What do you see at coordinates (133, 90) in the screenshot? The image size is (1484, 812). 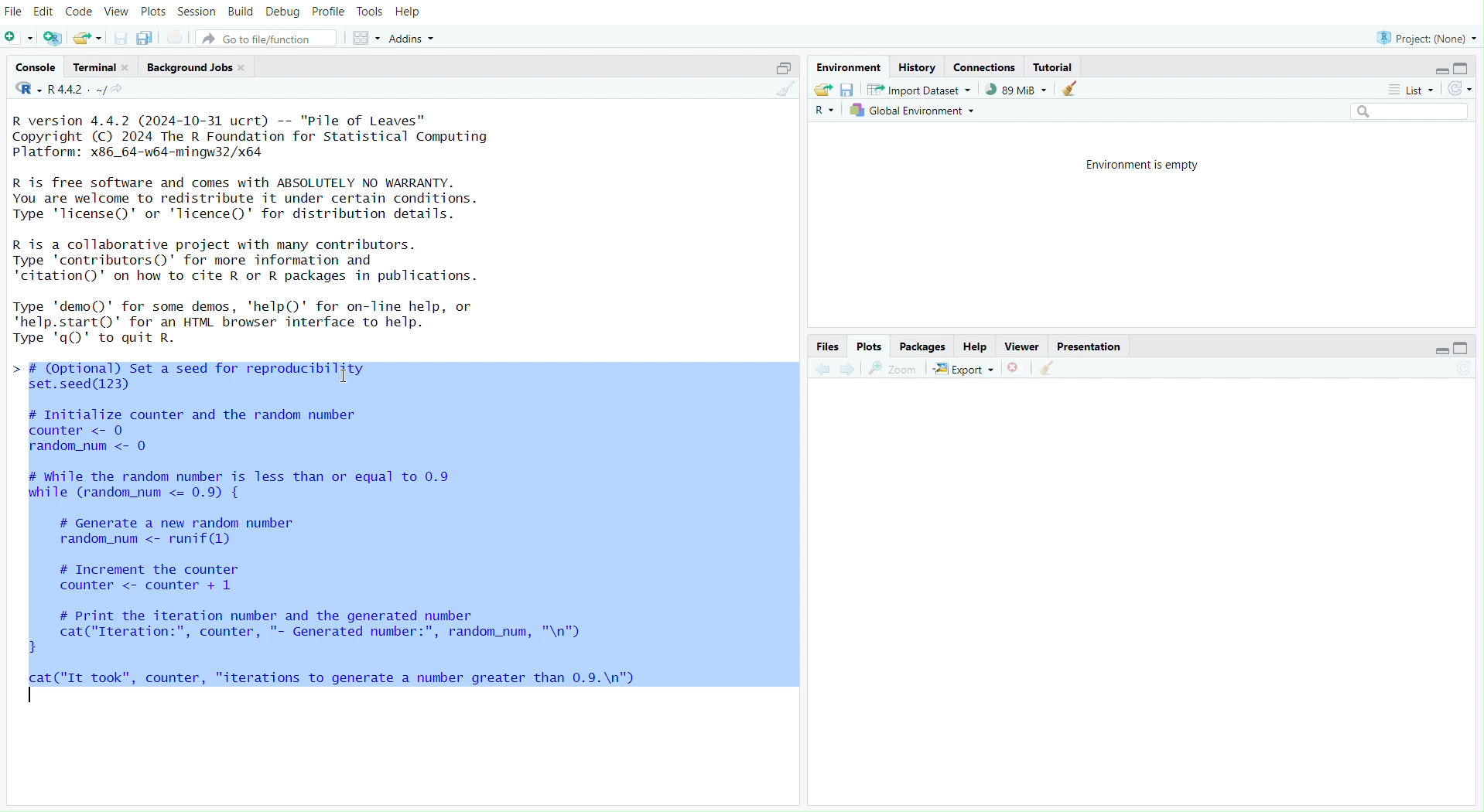 I see `View the current working directory` at bounding box center [133, 90].